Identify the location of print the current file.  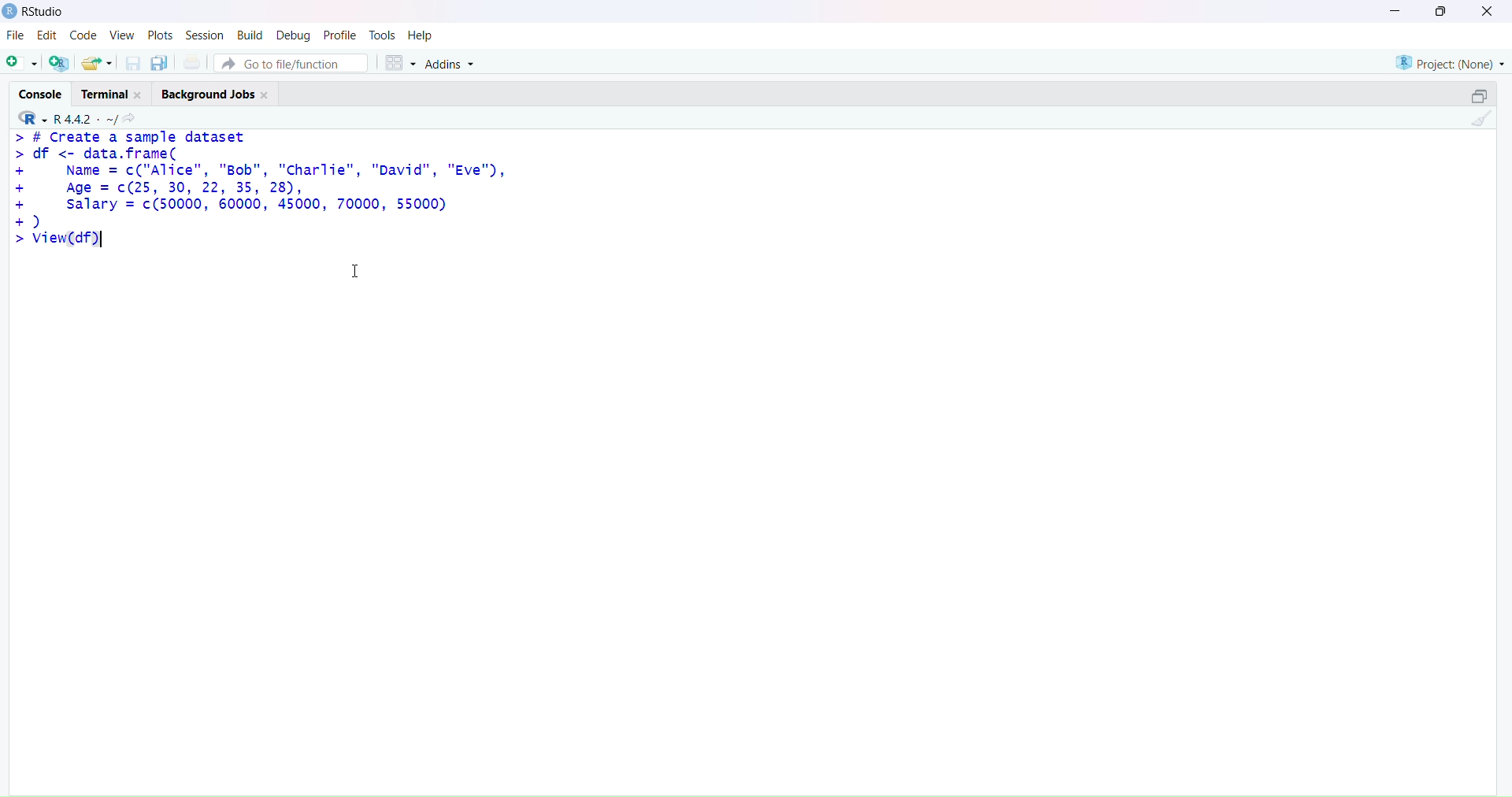
(192, 61).